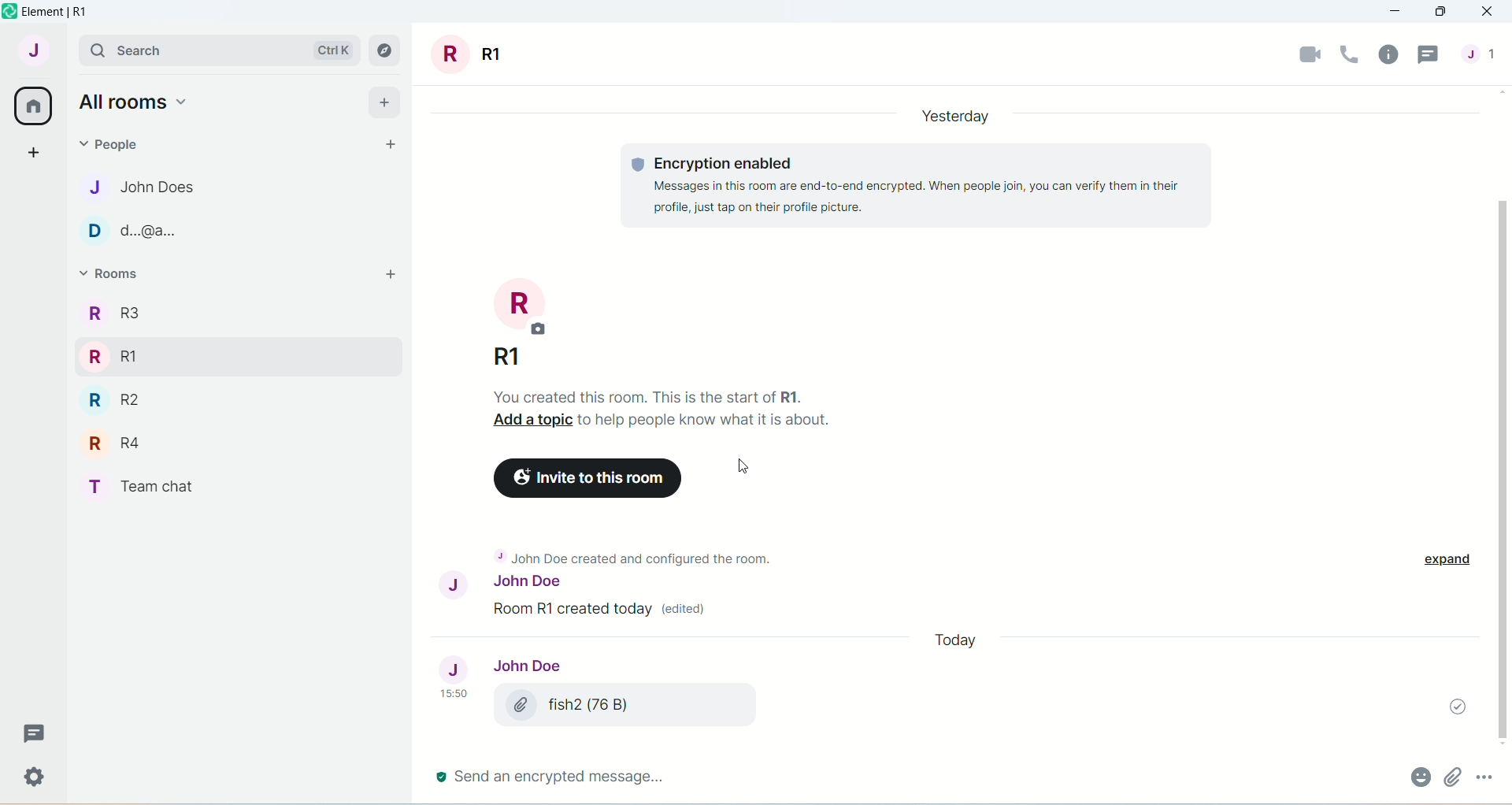 The image size is (1512, 805). Describe the element at coordinates (37, 733) in the screenshot. I see `Message` at that location.